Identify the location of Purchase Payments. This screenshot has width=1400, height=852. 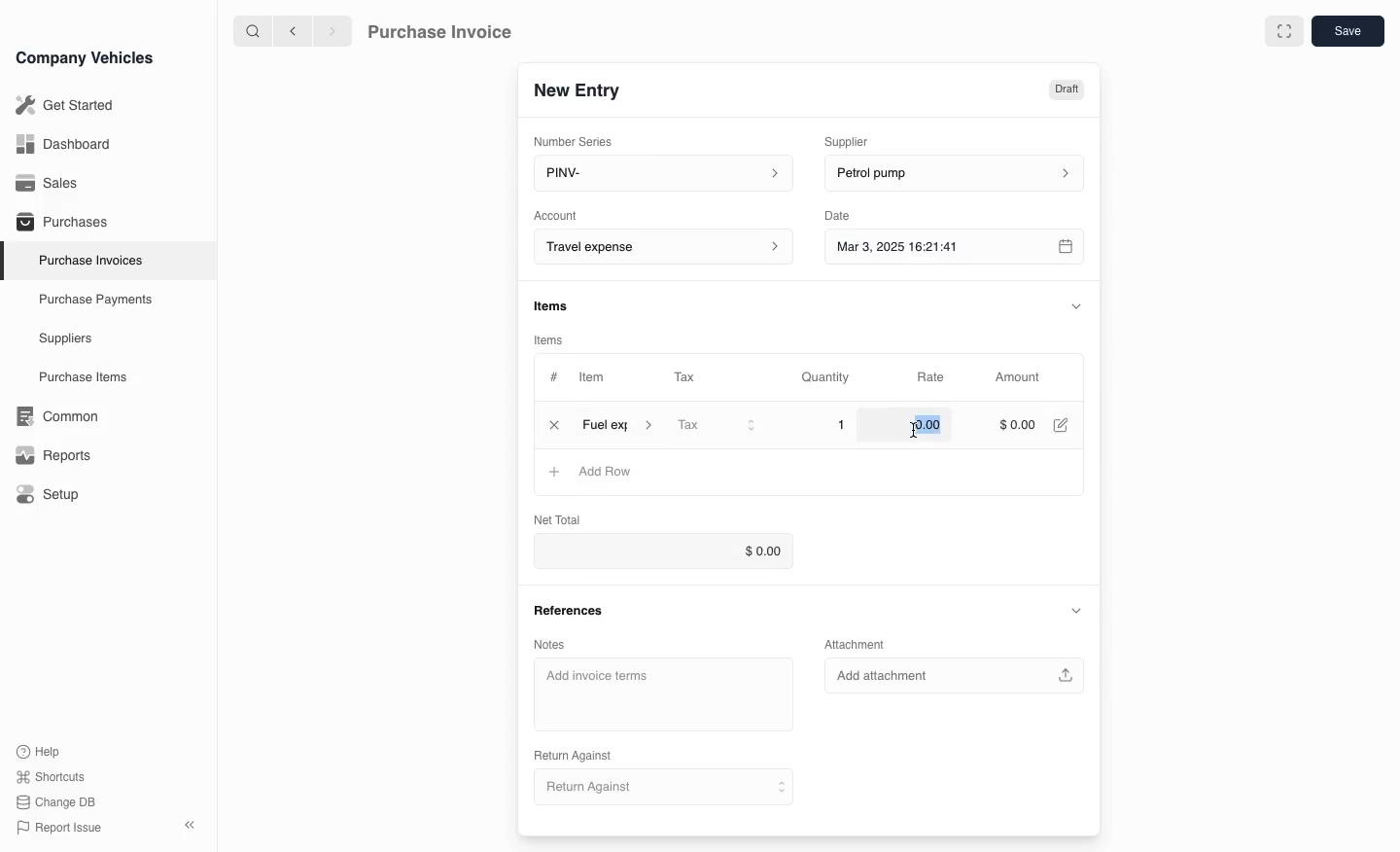
(93, 300).